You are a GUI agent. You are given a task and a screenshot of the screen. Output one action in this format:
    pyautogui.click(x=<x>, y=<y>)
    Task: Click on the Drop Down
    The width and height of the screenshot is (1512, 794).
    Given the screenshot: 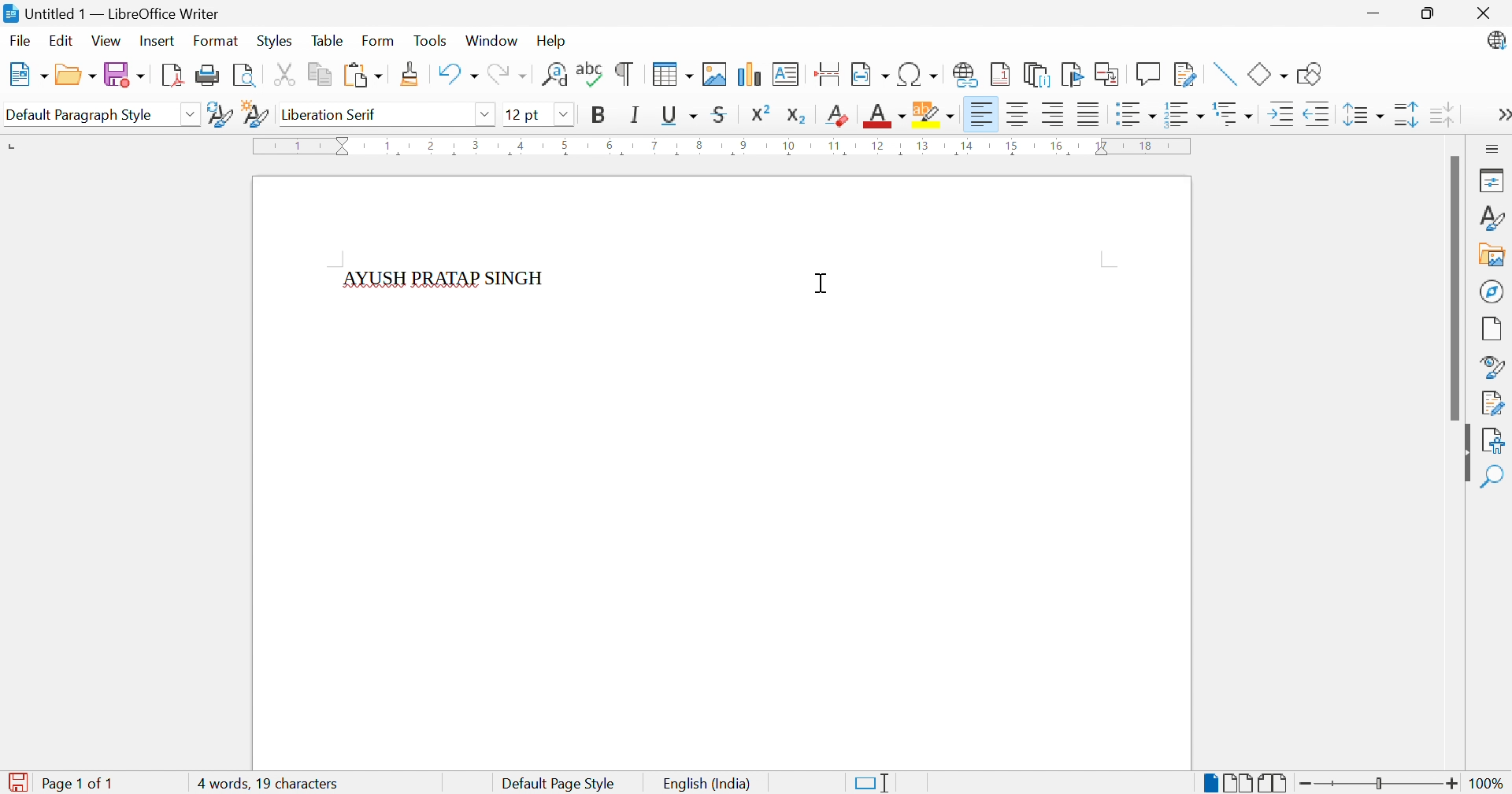 What is the action you would take?
    pyautogui.click(x=192, y=116)
    